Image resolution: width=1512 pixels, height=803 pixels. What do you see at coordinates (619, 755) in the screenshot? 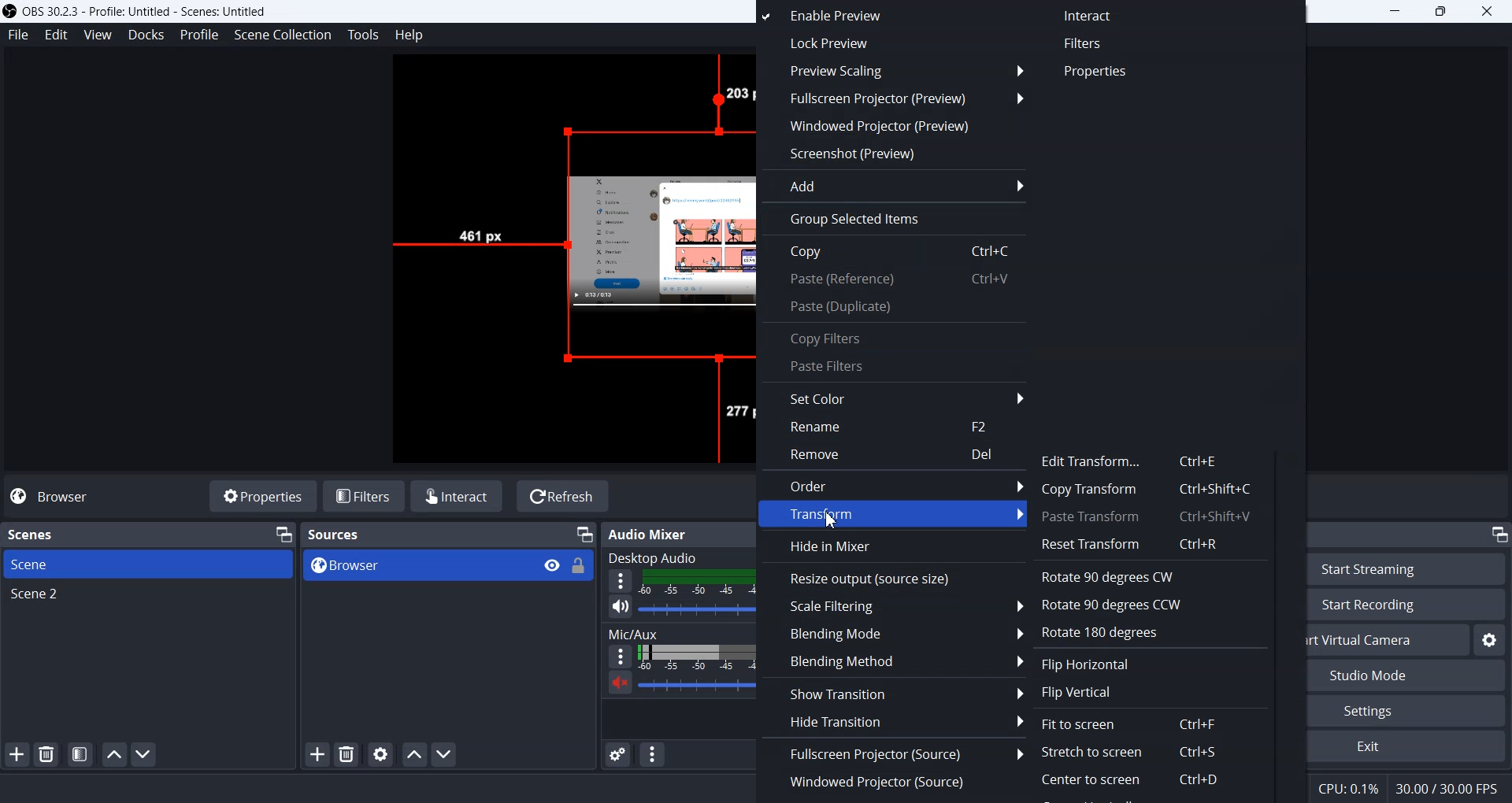
I see `Advance audio properties` at bounding box center [619, 755].